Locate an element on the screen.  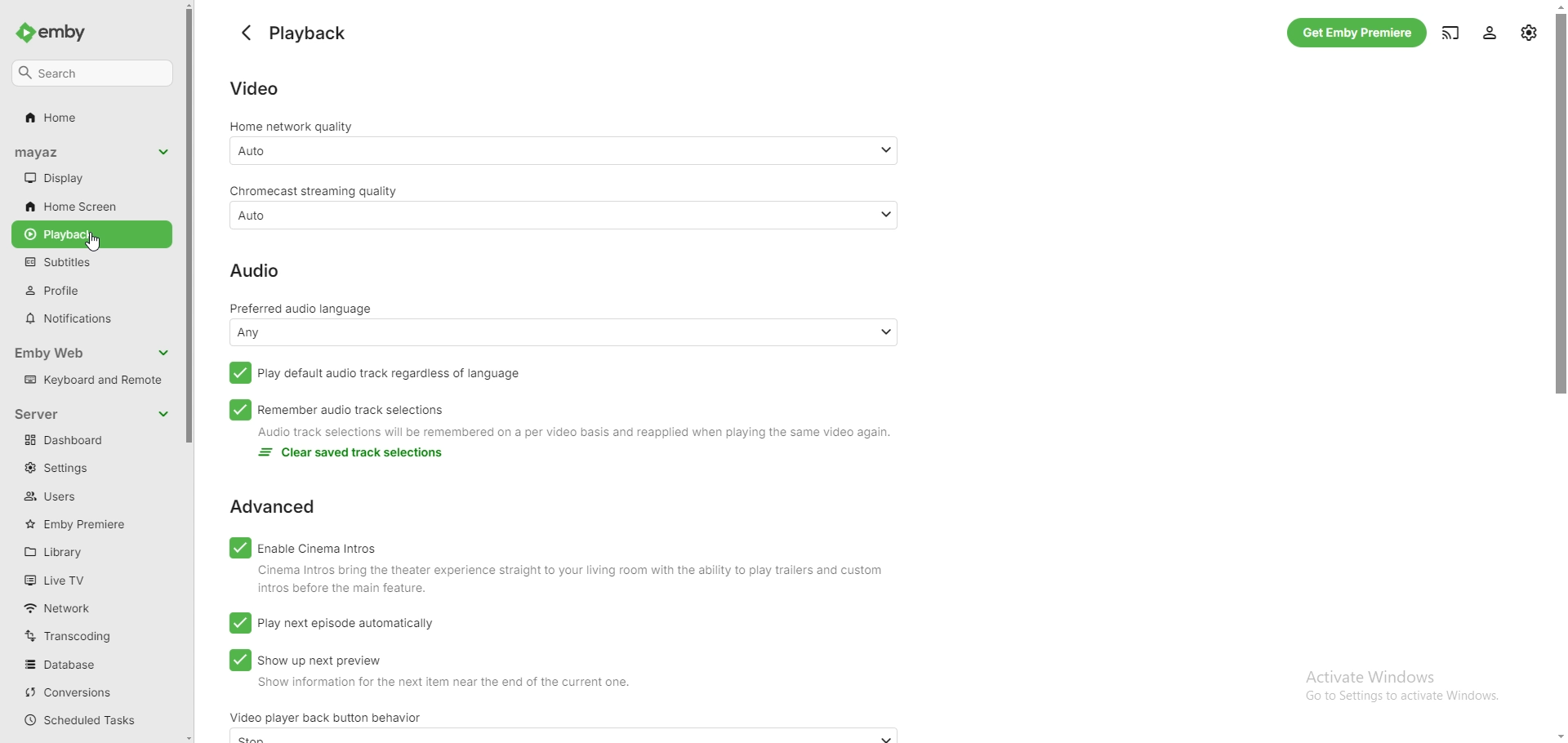
enable cinema intros is located at coordinates (303, 546).